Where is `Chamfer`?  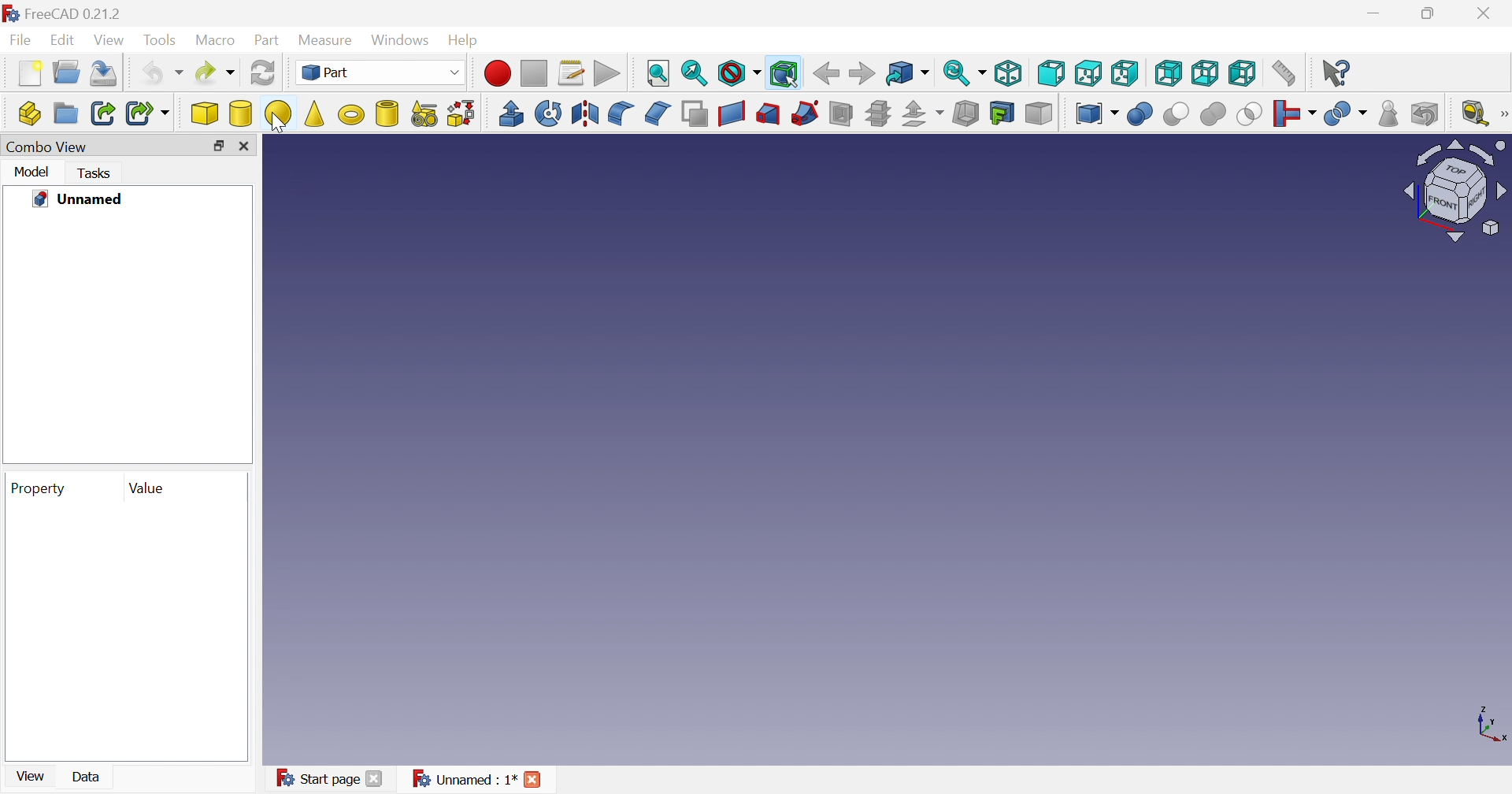
Chamfer is located at coordinates (660, 113).